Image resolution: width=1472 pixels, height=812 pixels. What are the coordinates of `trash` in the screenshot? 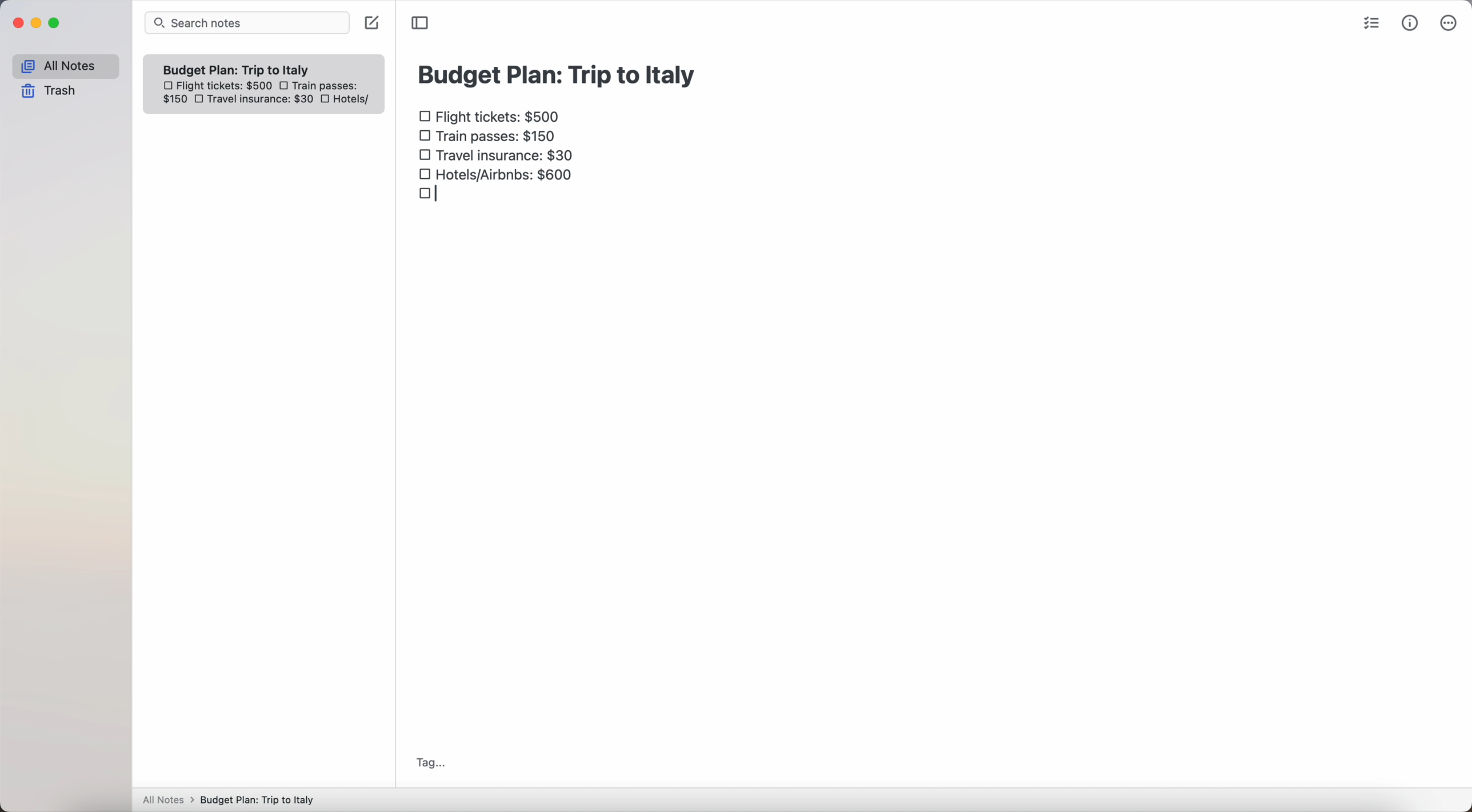 It's located at (49, 91).